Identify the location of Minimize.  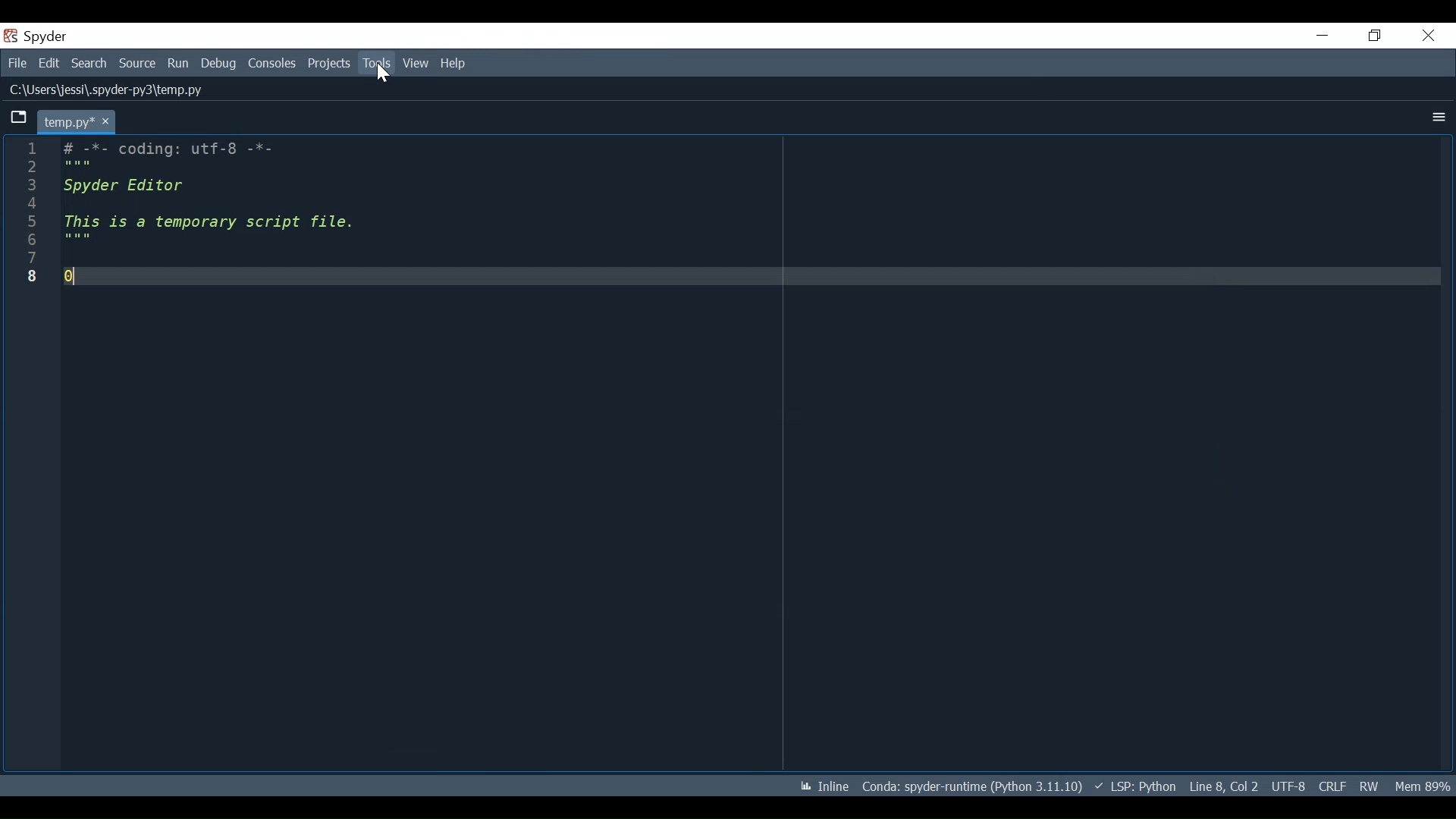
(1323, 36).